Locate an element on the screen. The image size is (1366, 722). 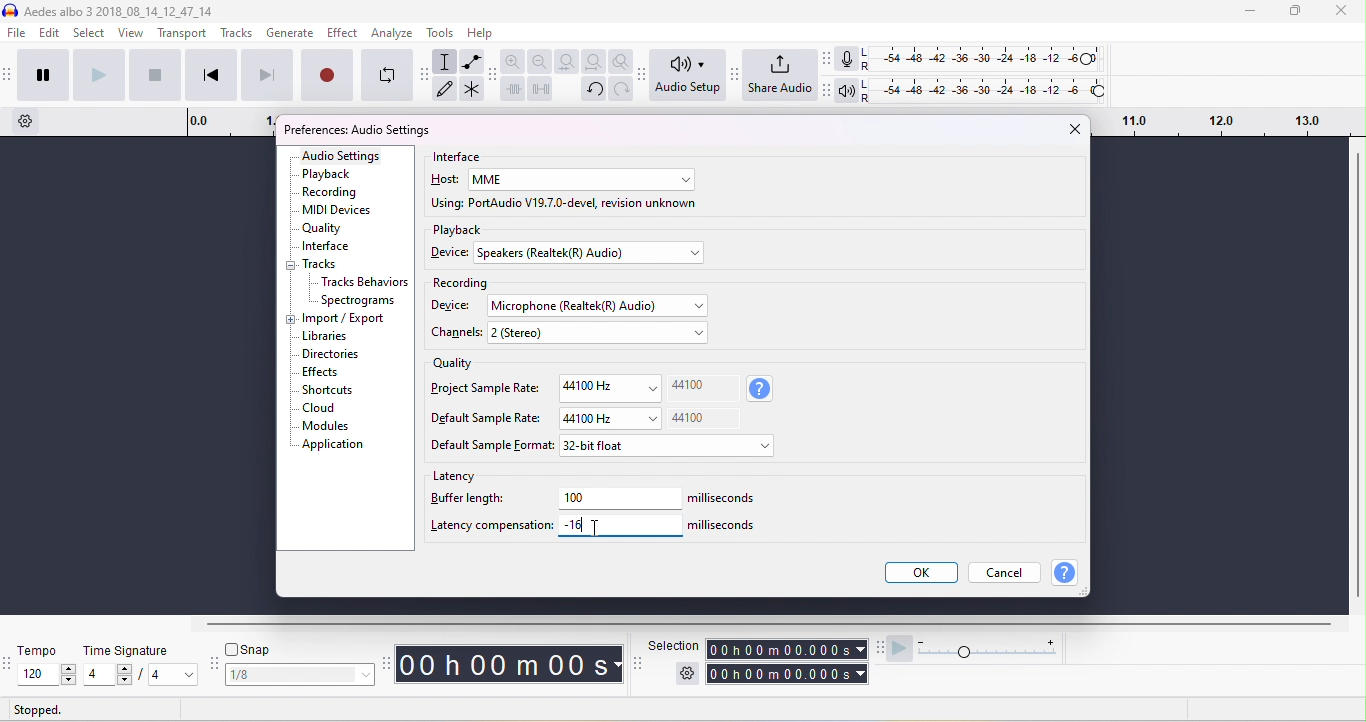
select tempo is located at coordinates (46, 675).